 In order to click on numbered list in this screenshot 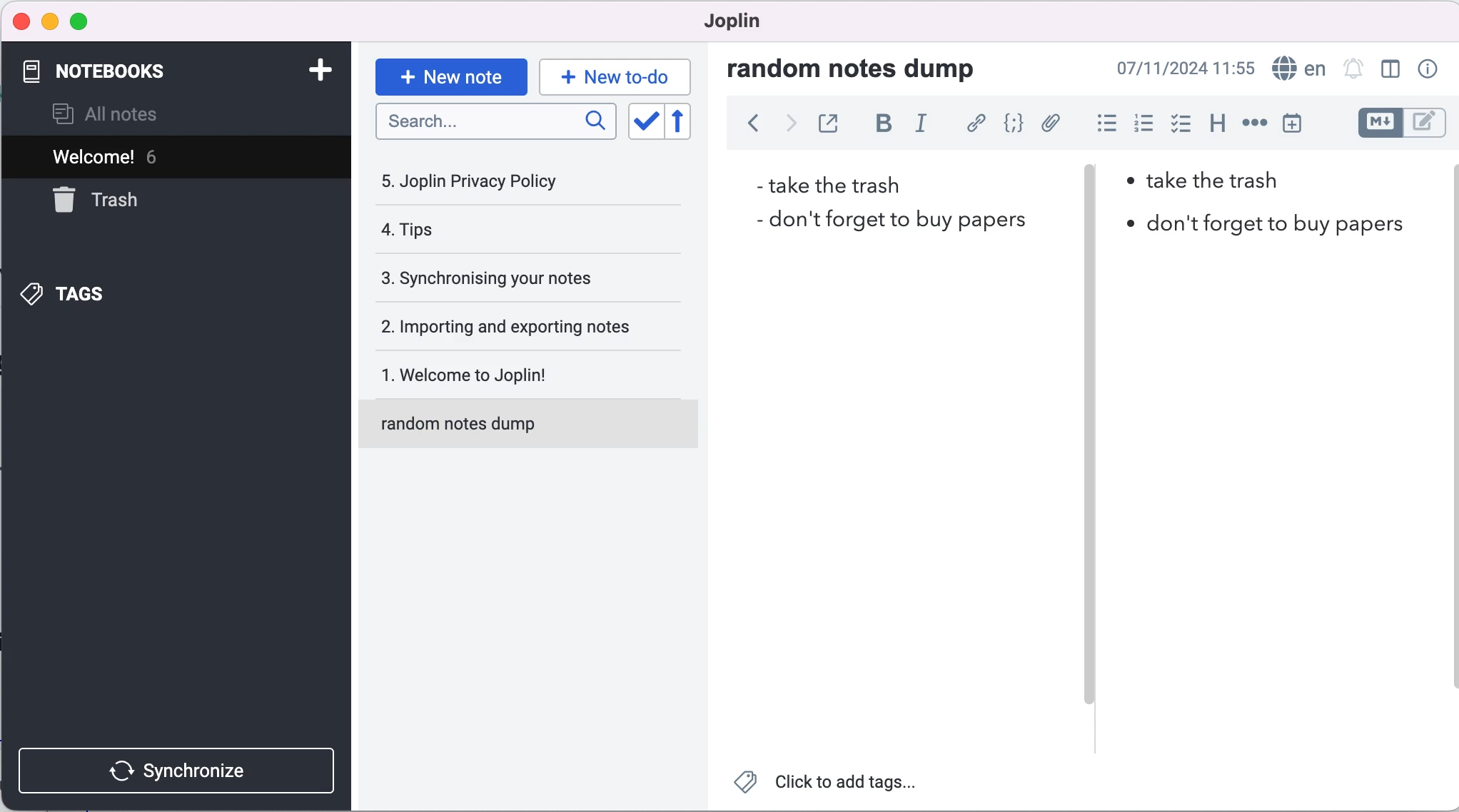, I will do `click(1141, 123)`.